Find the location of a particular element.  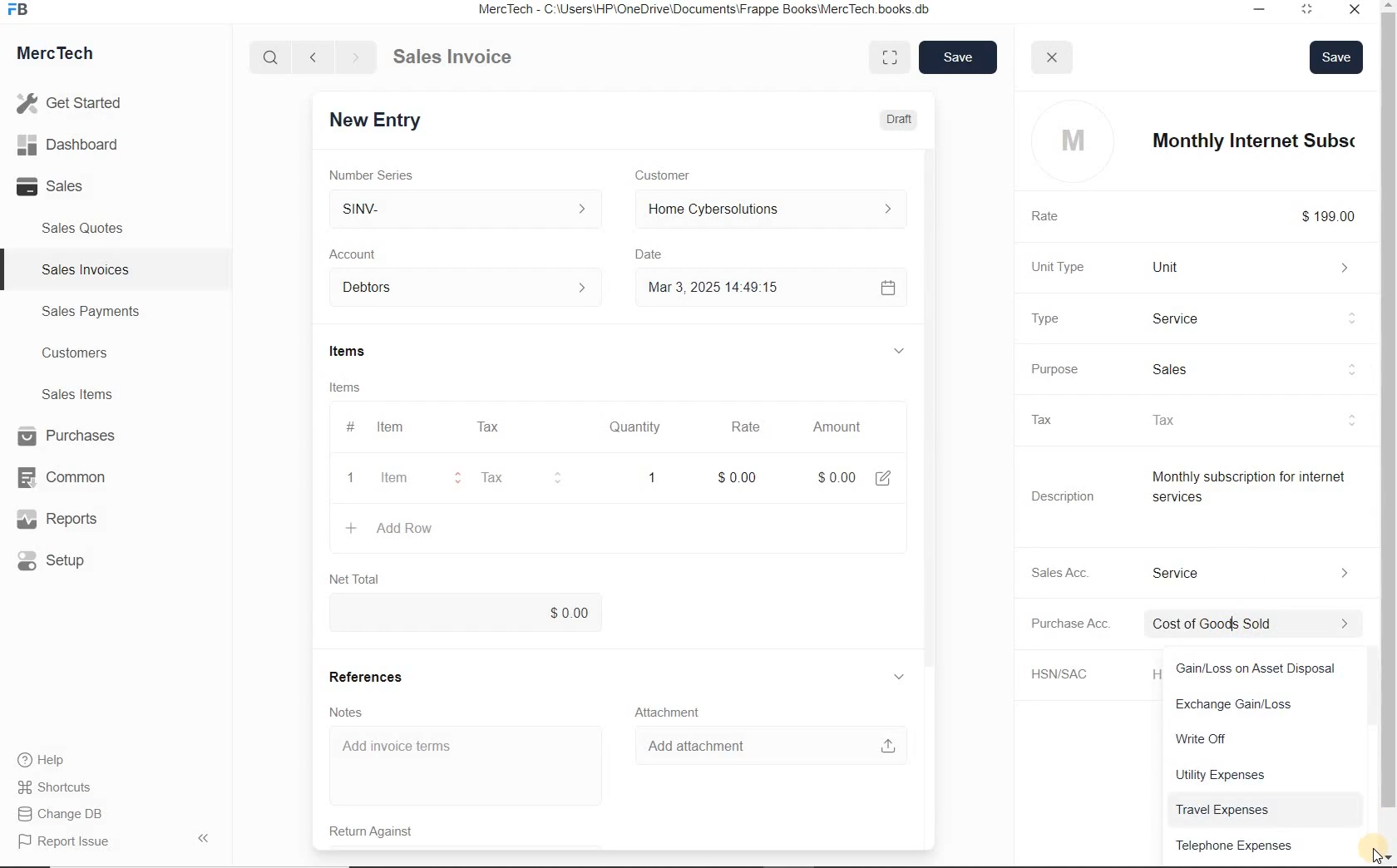

Number Series is located at coordinates (390, 173).